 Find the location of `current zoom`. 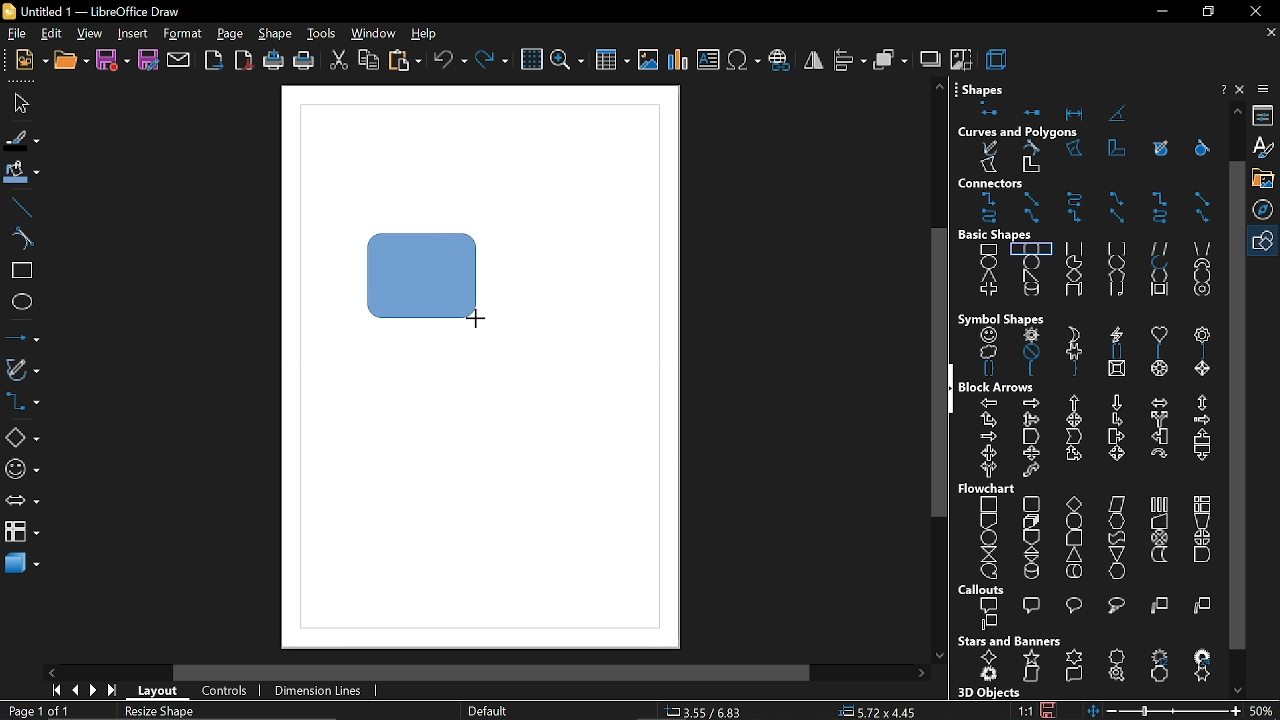

current zoom is located at coordinates (1263, 710).